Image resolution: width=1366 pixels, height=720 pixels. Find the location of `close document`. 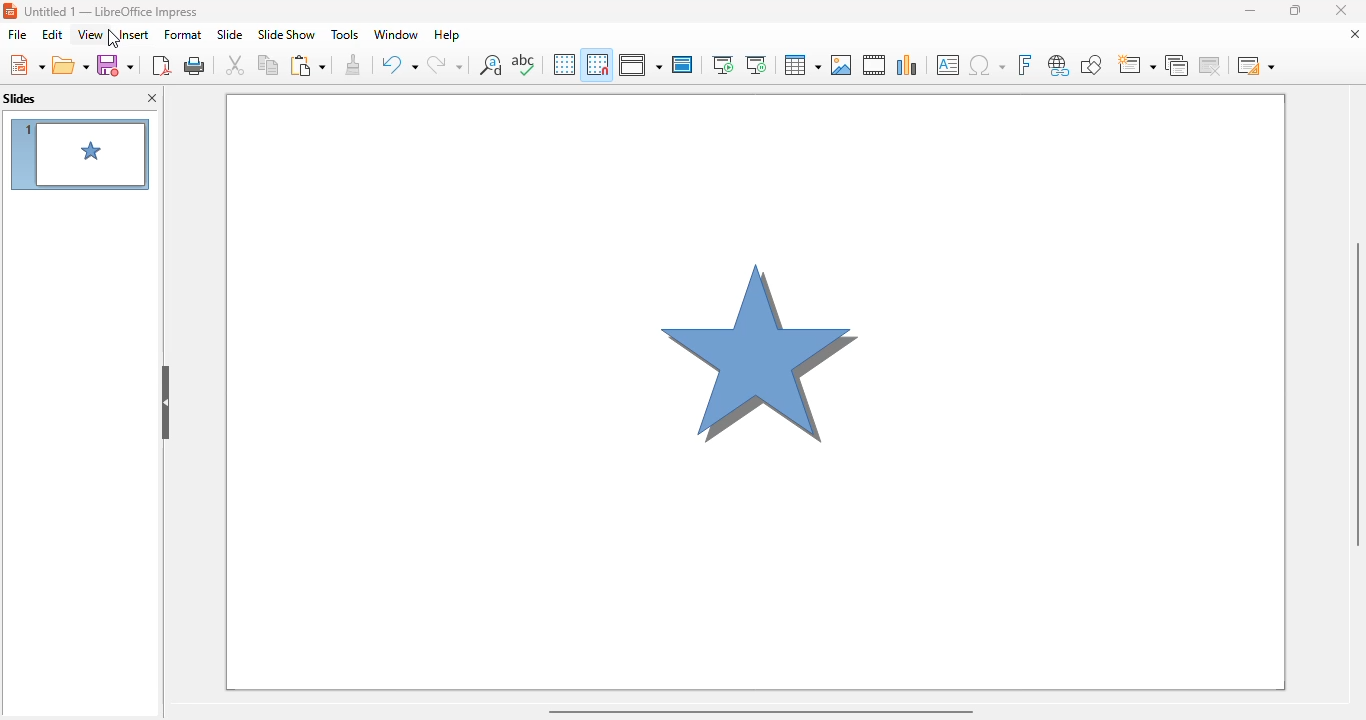

close document is located at coordinates (1355, 33).